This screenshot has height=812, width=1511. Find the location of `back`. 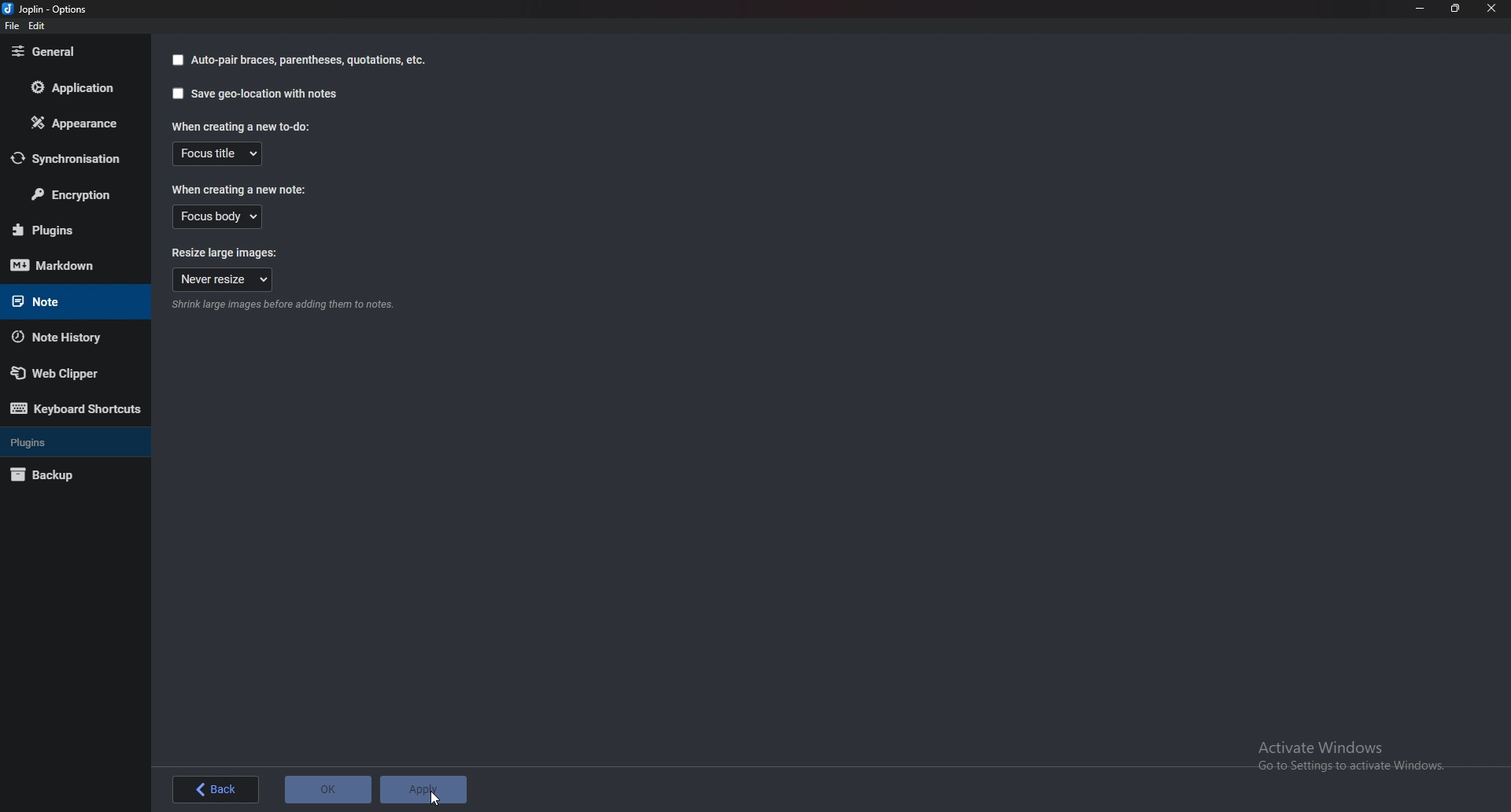

back is located at coordinates (213, 788).